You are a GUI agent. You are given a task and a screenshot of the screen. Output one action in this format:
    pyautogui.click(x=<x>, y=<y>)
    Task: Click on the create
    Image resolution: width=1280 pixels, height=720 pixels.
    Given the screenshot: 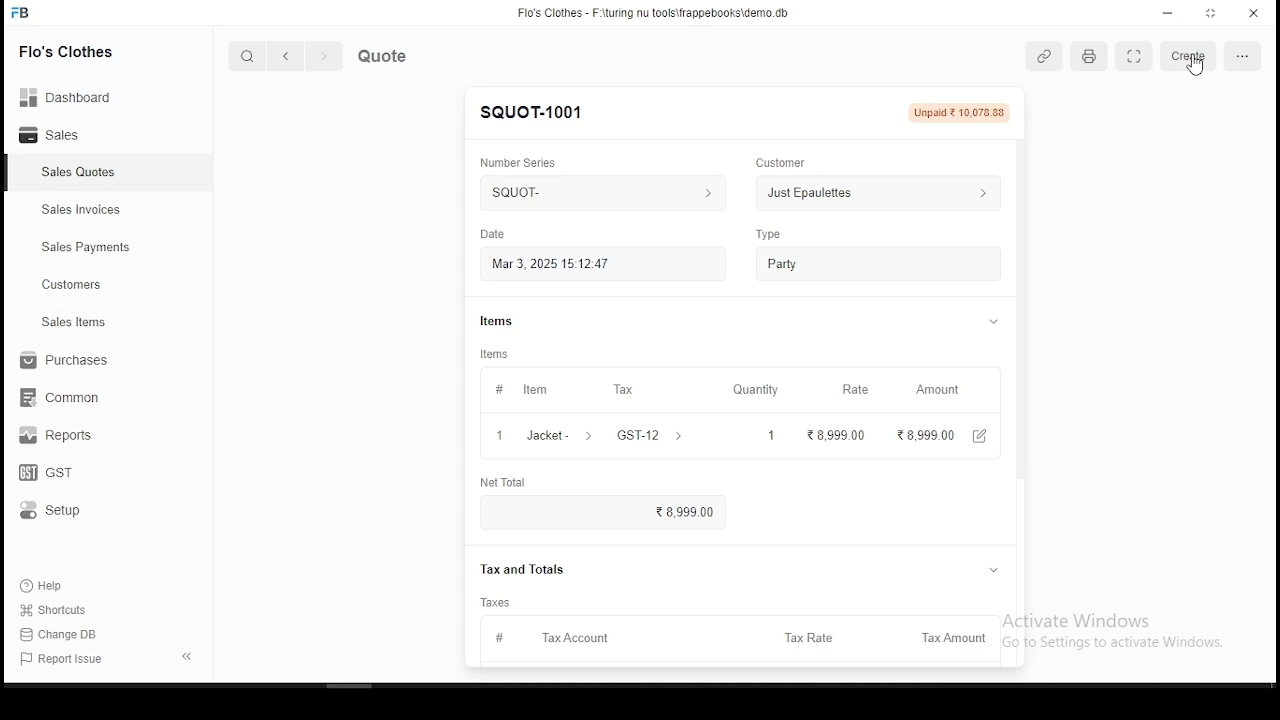 What is the action you would take?
    pyautogui.click(x=1188, y=56)
    